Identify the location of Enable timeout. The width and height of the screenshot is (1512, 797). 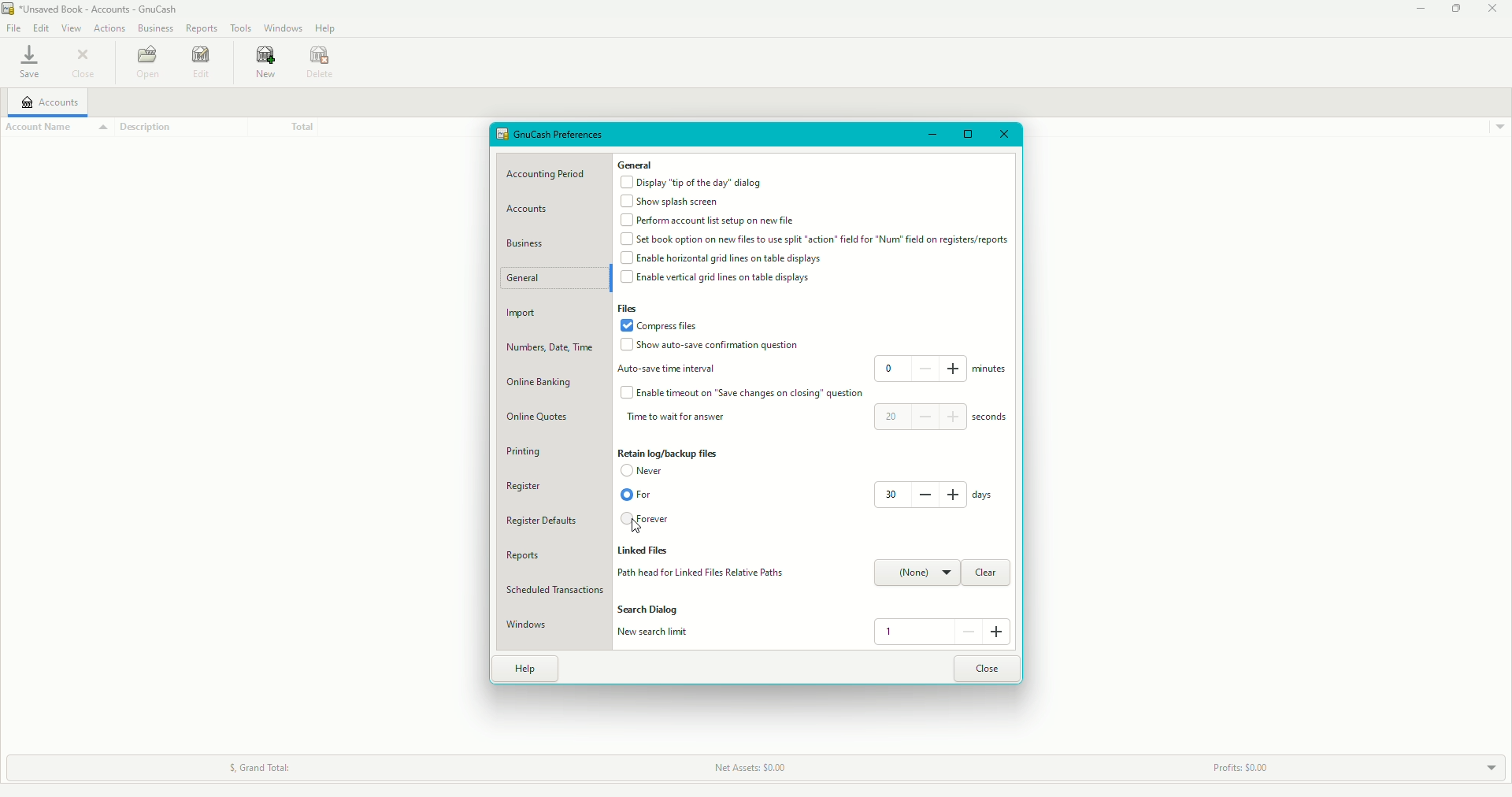
(745, 393).